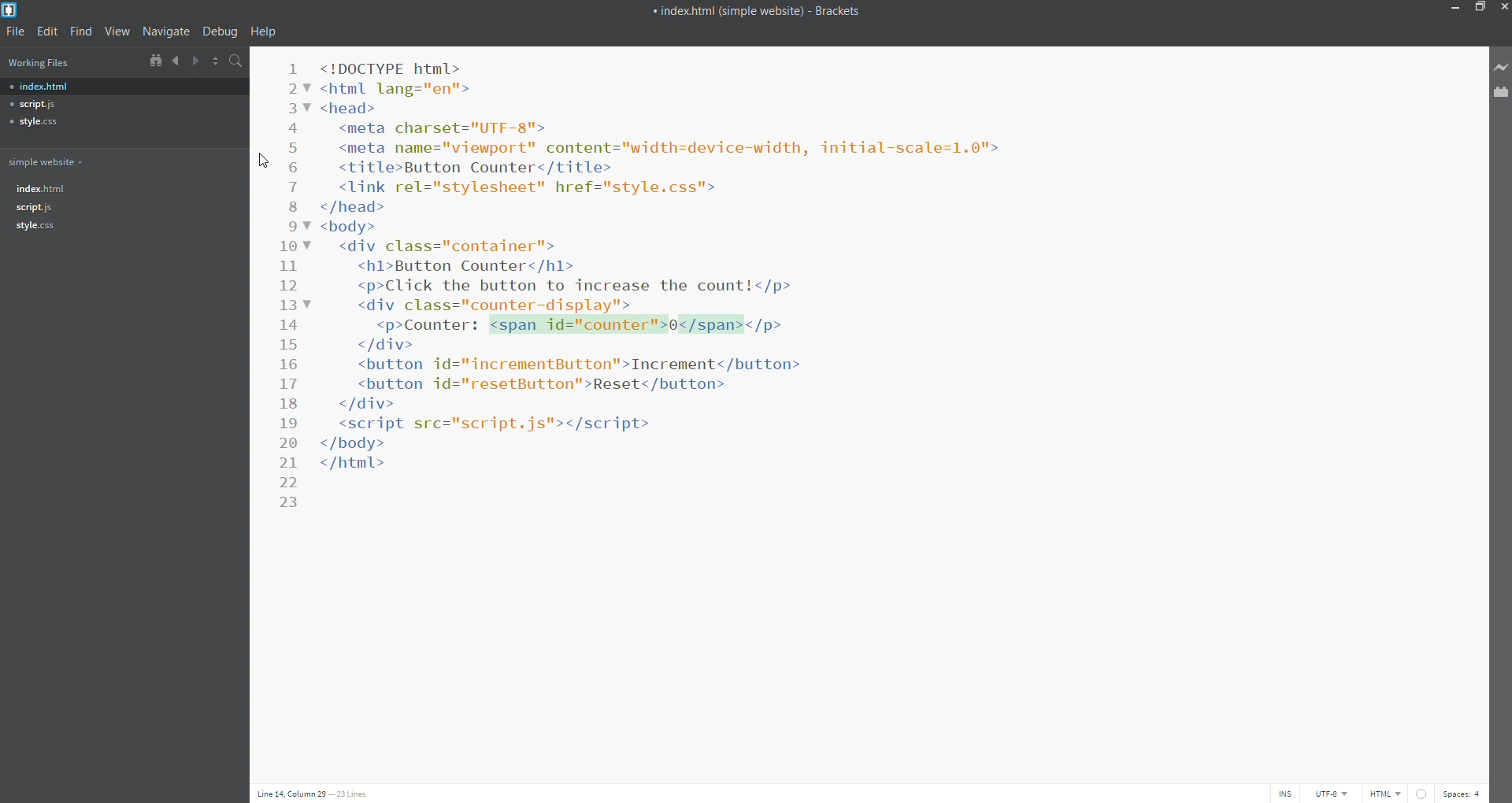 Image resolution: width=1512 pixels, height=803 pixels. What do you see at coordinates (291, 287) in the screenshot?
I see `line number` at bounding box center [291, 287].